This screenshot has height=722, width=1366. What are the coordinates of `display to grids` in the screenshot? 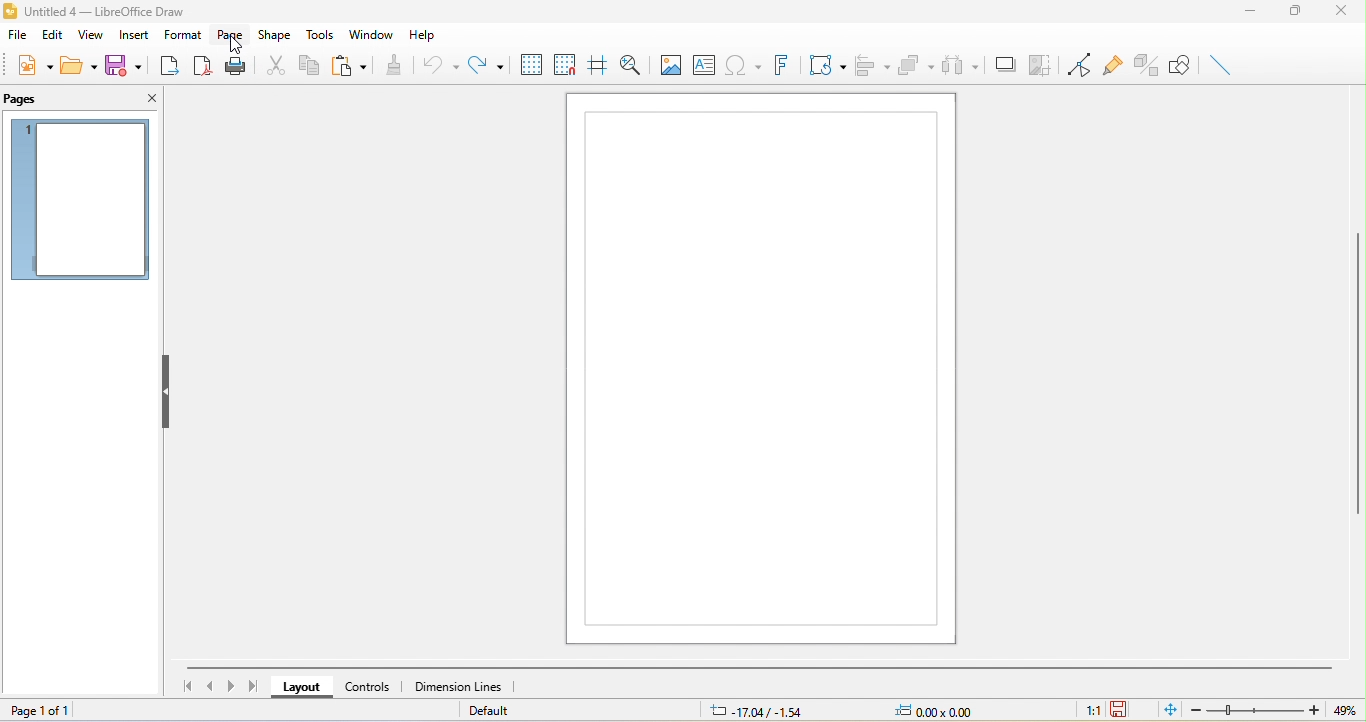 It's located at (532, 65).